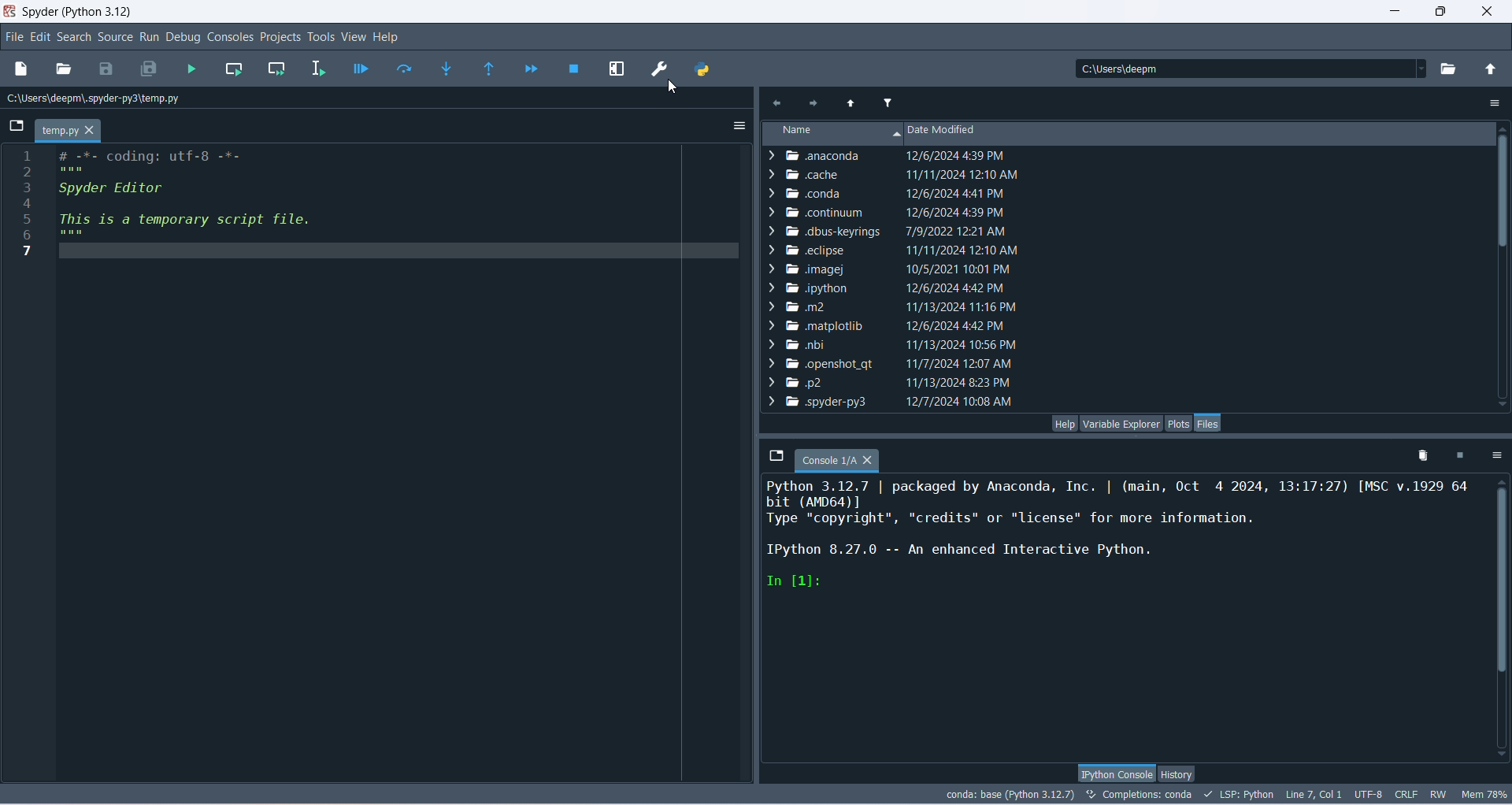 The image size is (1512, 805). What do you see at coordinates (895, 174) in the screenshot?
I see `folder details` at bounding box center [895, 174].